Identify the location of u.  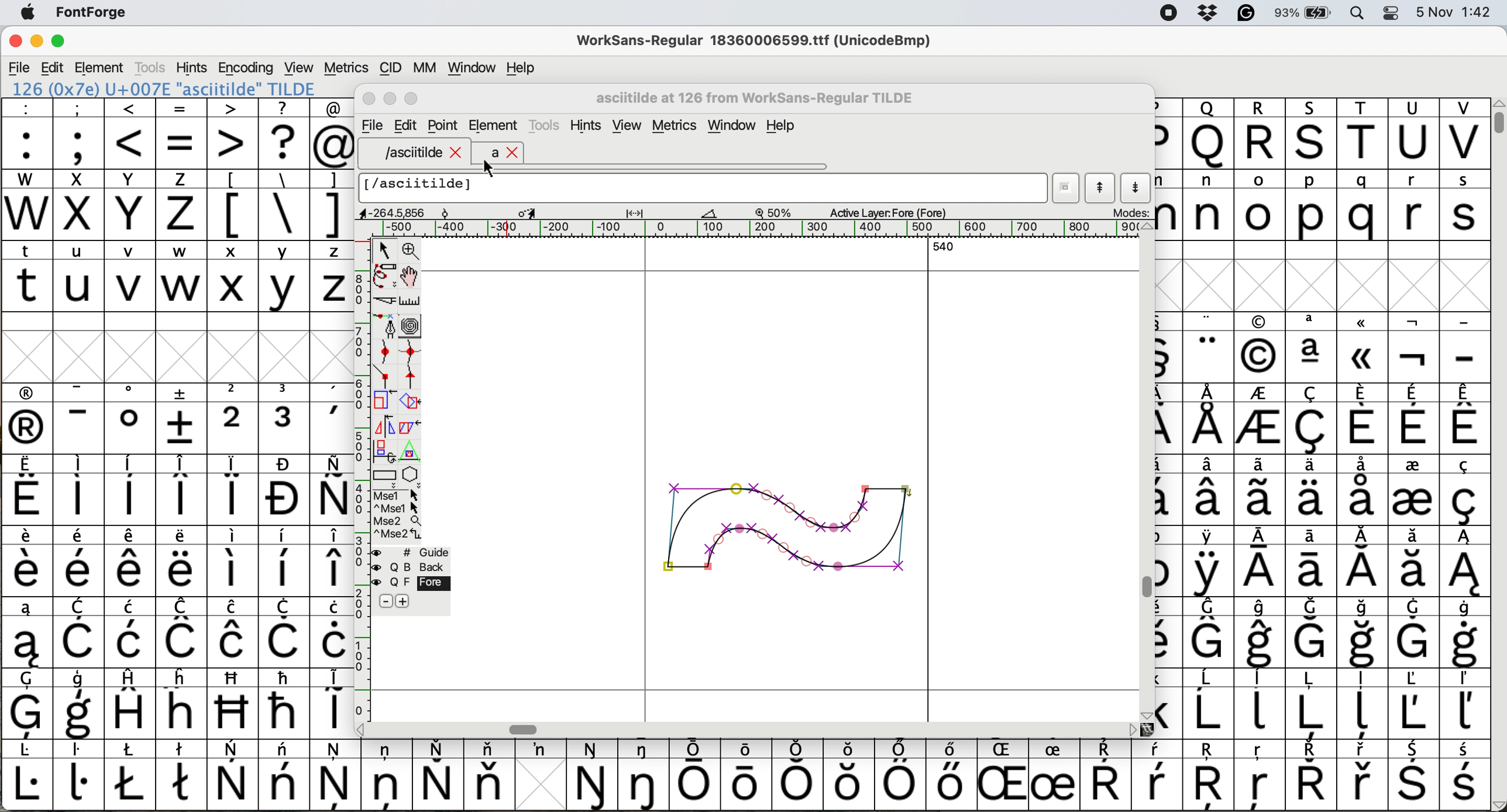
(80, 276).